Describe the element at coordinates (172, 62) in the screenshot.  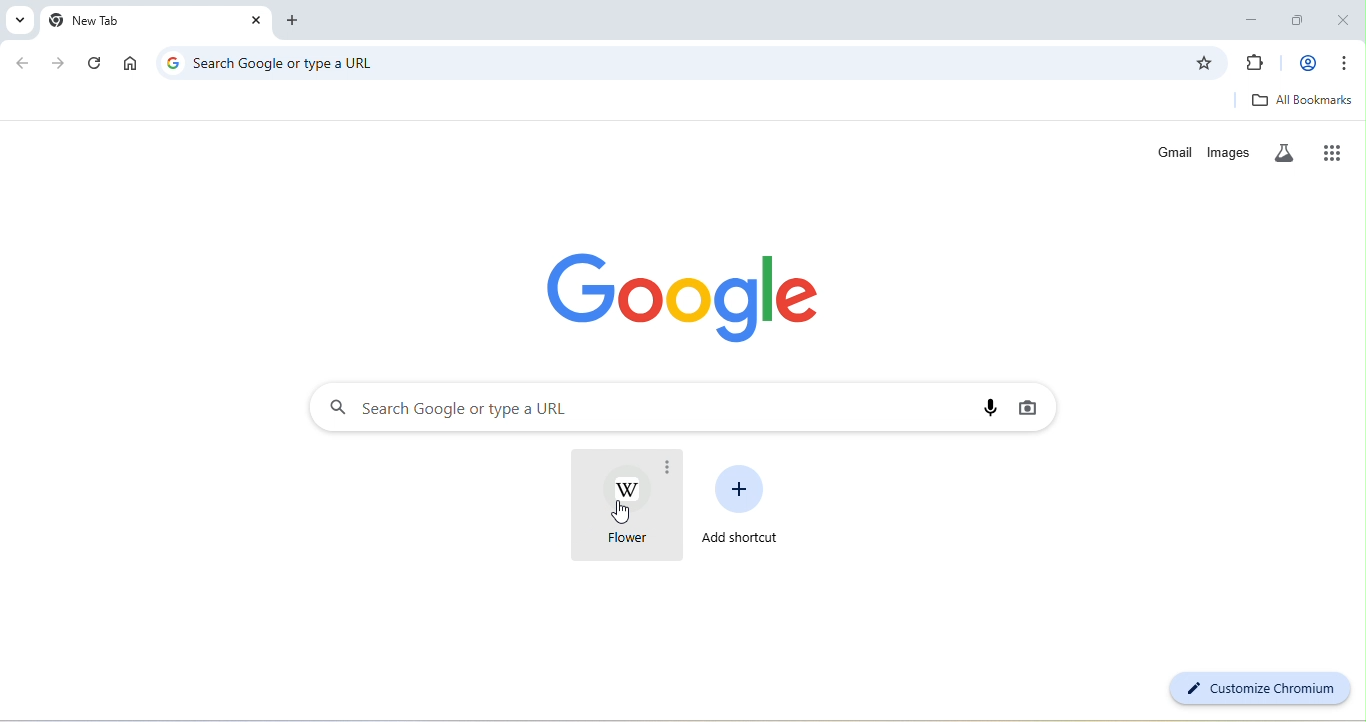
I see `google logo` at that location.